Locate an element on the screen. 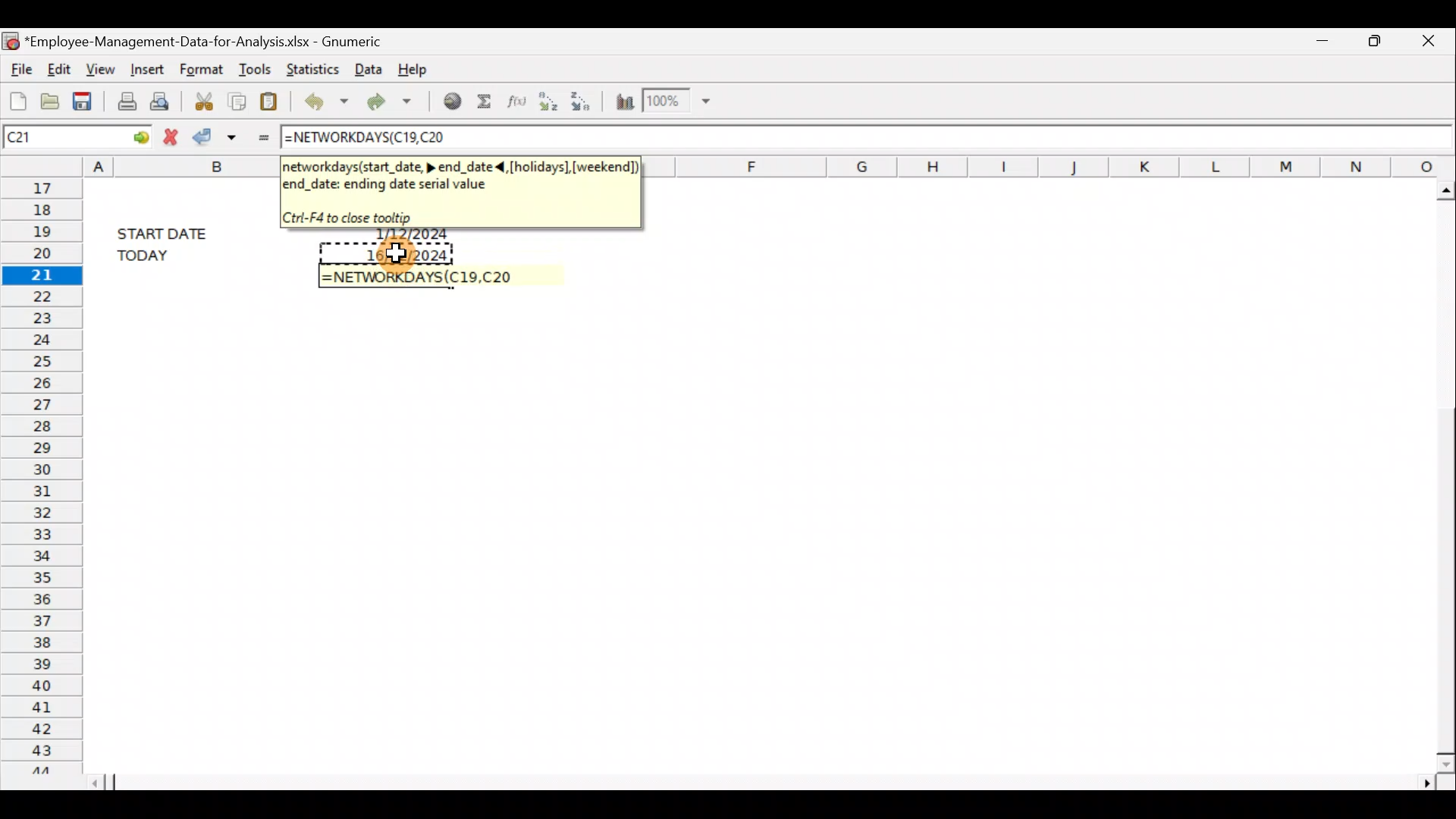 The width and height of the screenshot is (1456, 819). 16/12/2024 is located at coordinates (403, 256).